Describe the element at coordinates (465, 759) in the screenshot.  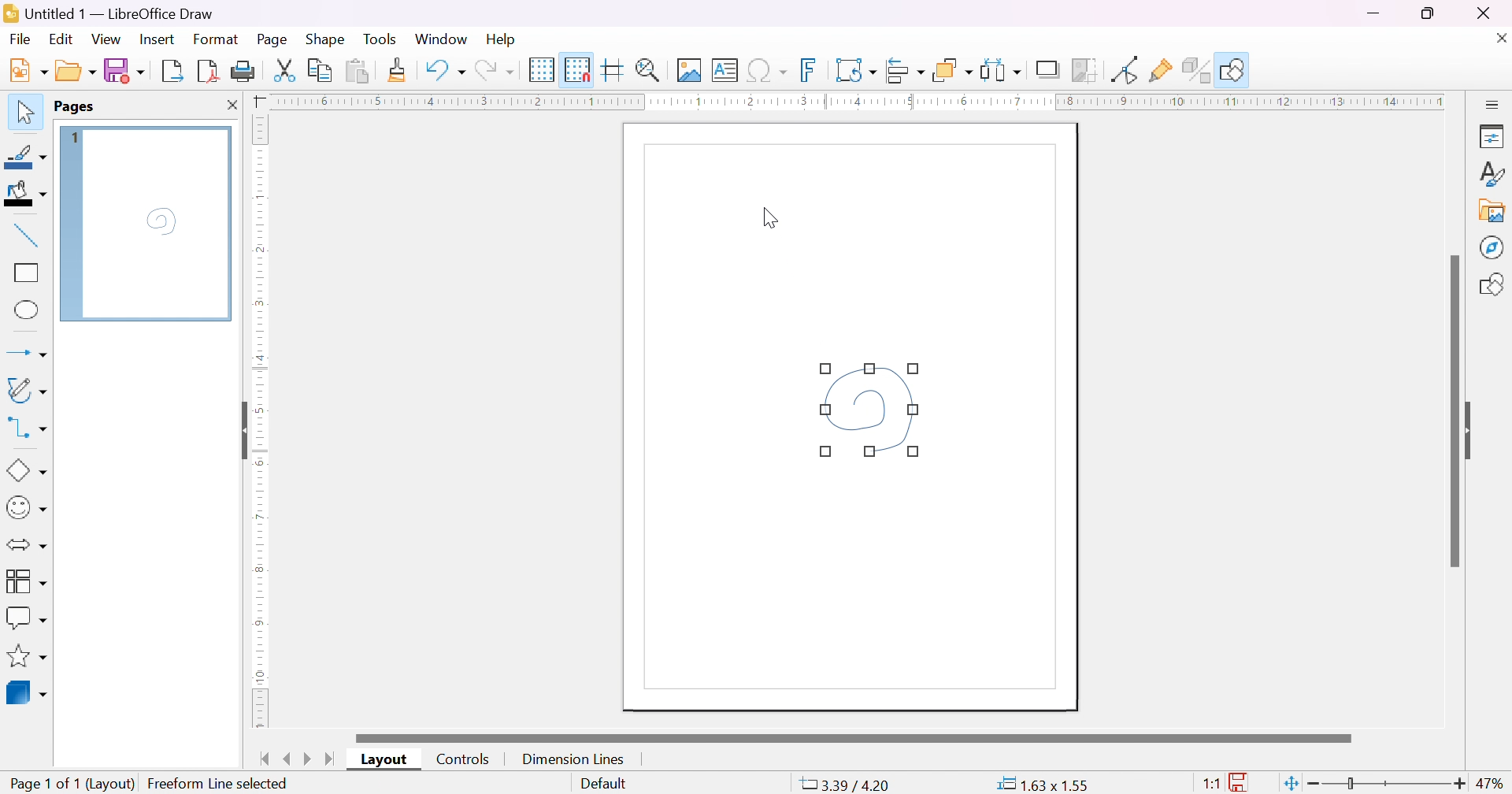
I see `controls` at that location.